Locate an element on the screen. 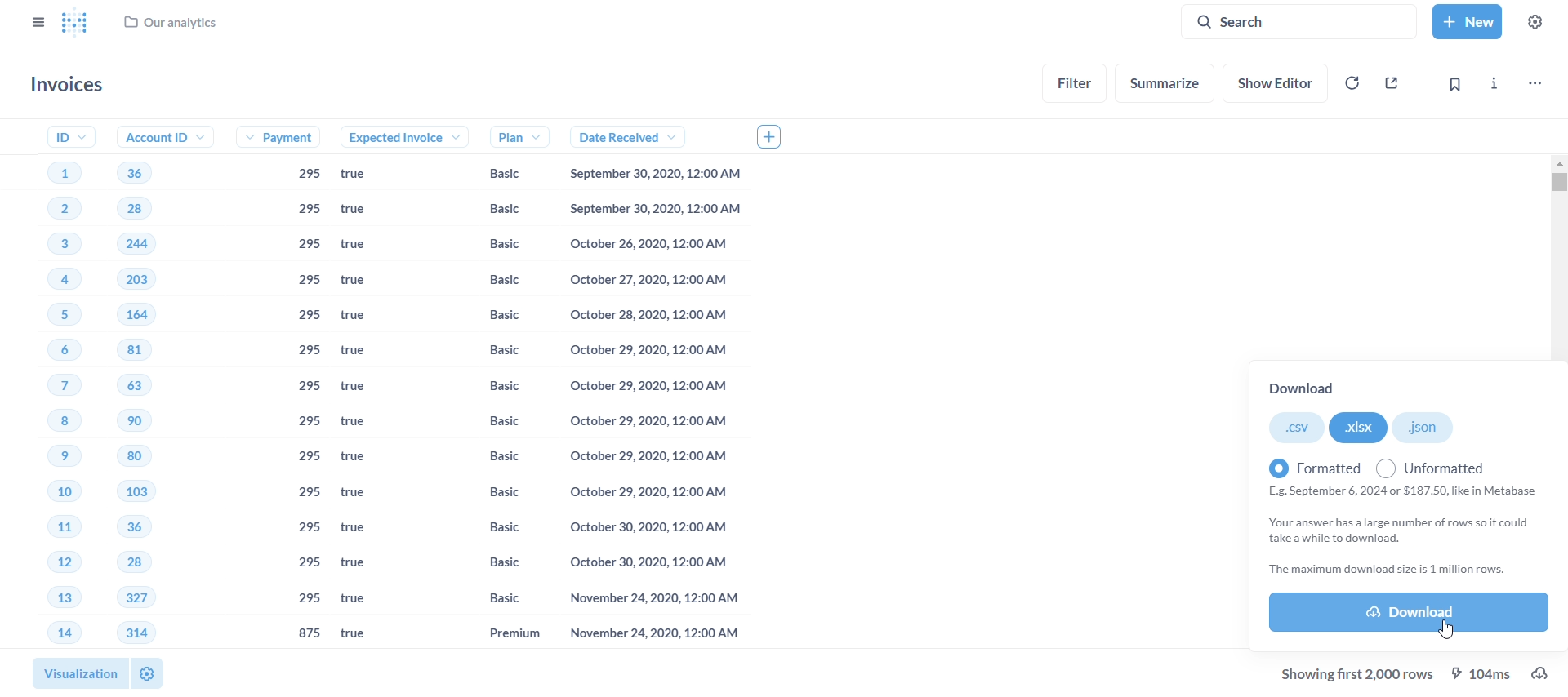 The image size is (1568, 697). account ID is located at coordinates (159, 137).